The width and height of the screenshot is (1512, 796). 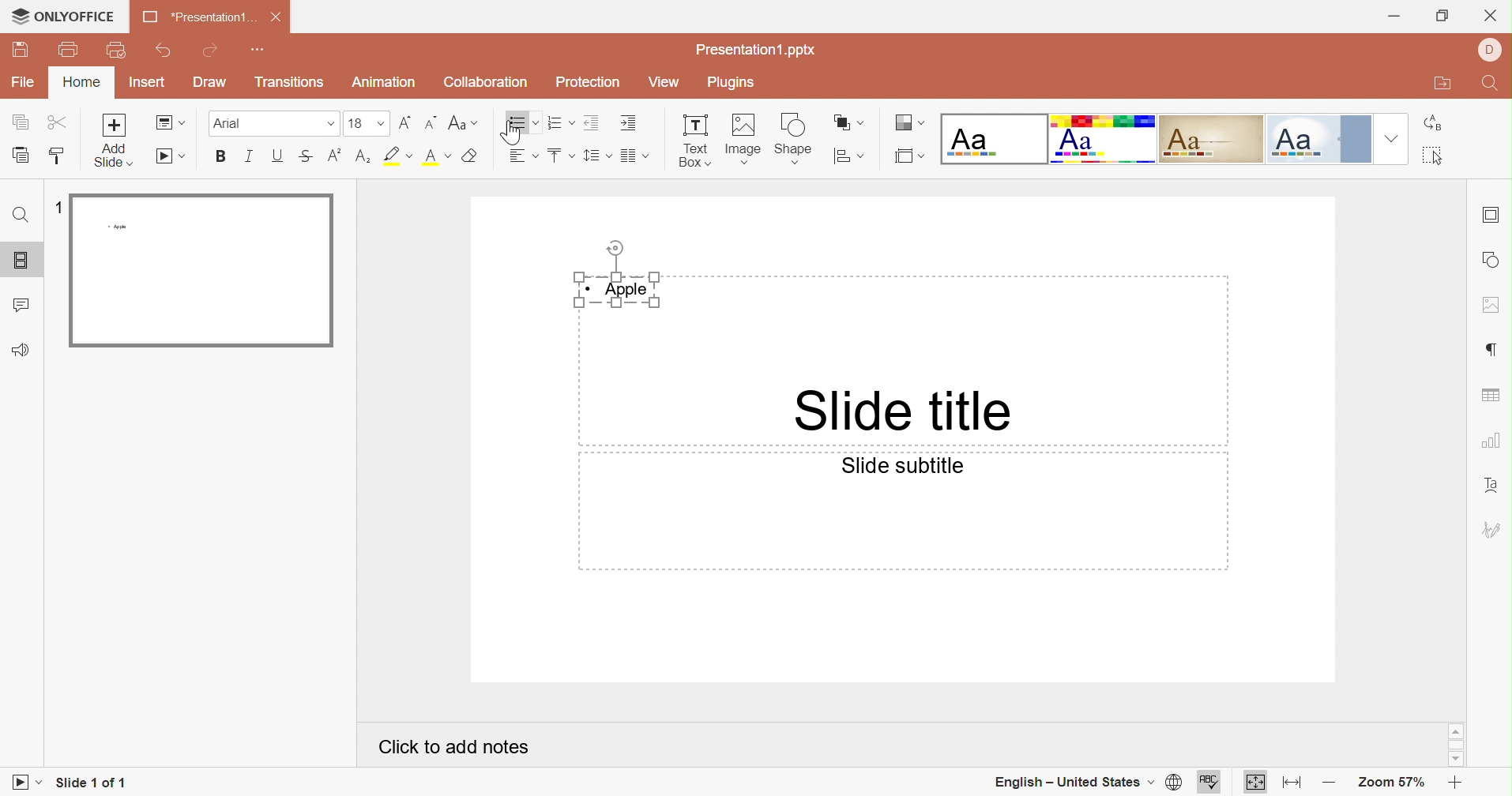 I want to click on table settings, so click(x=1491, y=396).